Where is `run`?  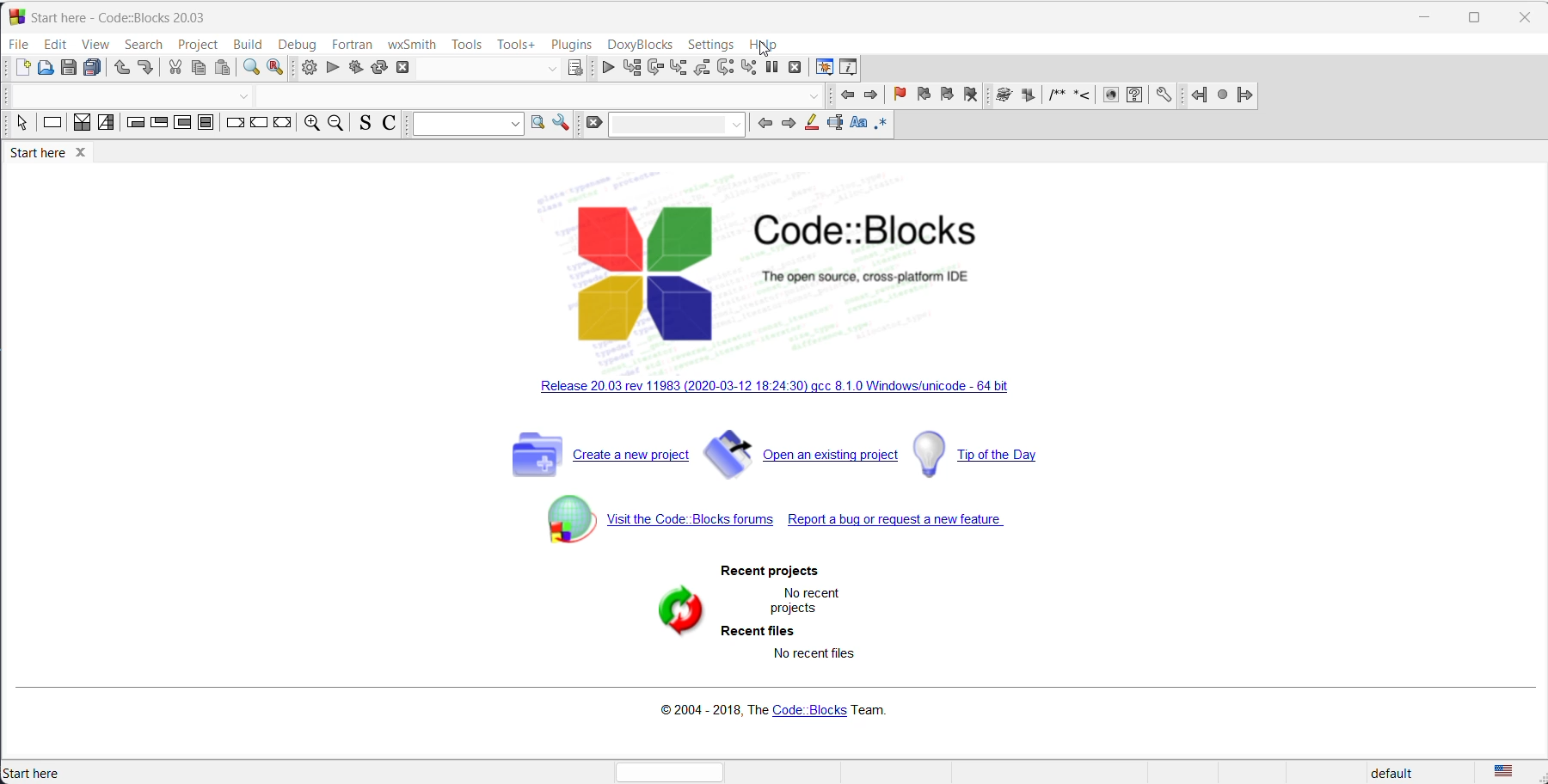
run is located at coordinates (331, 68).